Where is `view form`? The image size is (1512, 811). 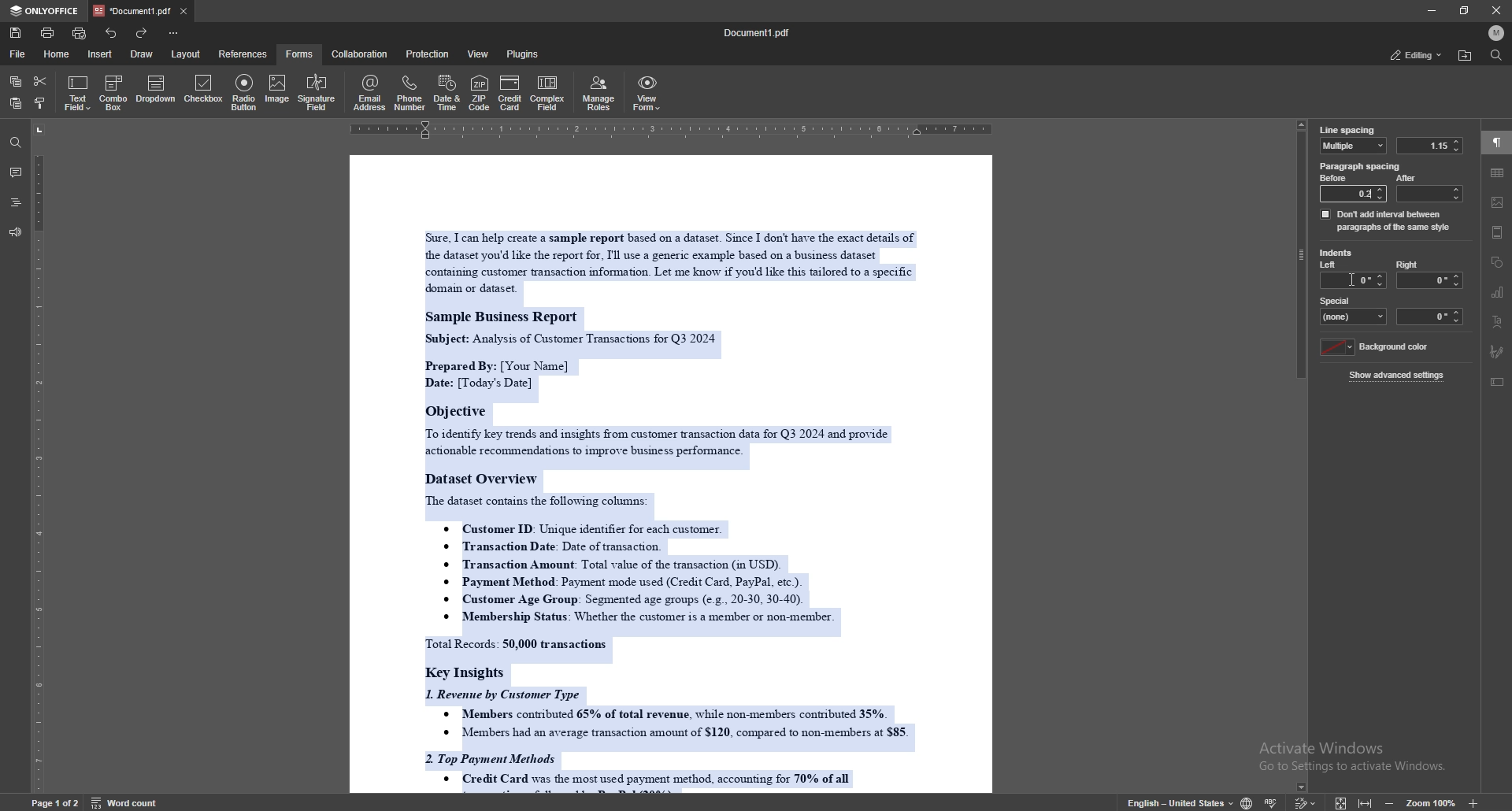 view form is located at coordinates (647, 93).